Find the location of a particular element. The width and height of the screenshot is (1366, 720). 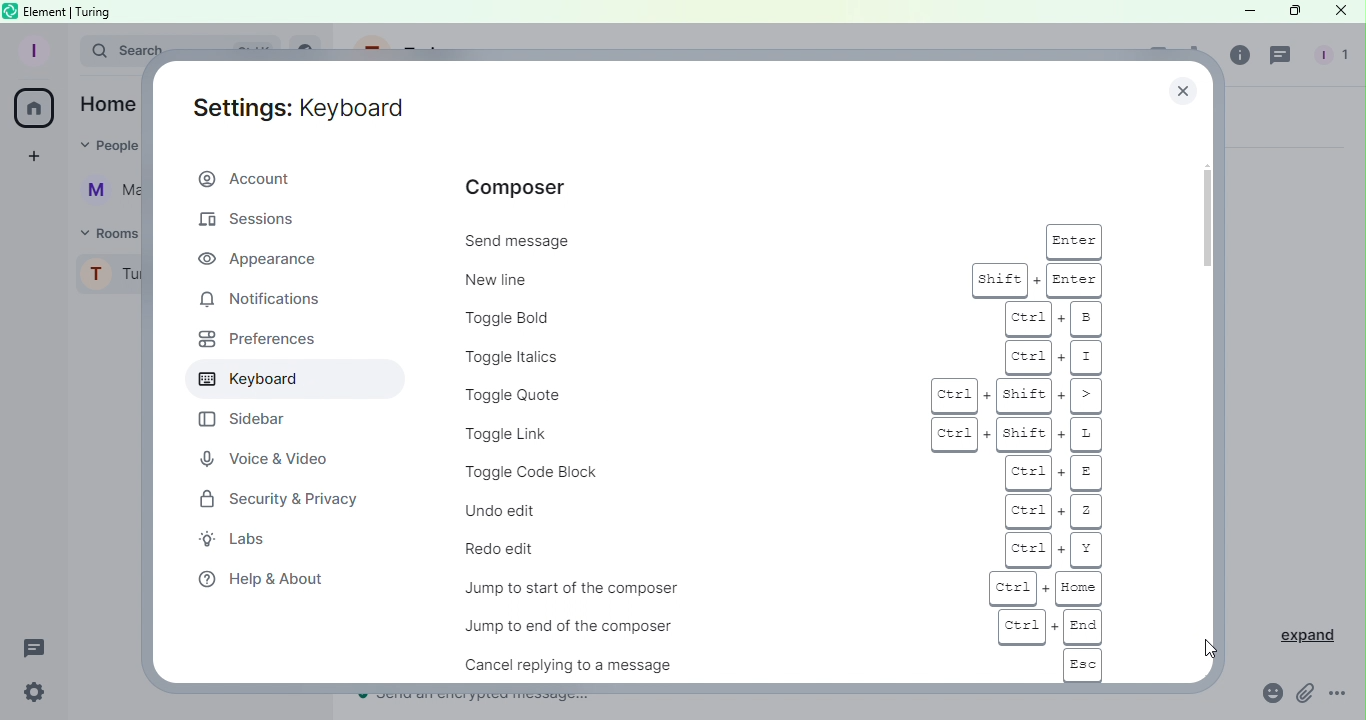

Element icon is located at coordinates (12, 10).